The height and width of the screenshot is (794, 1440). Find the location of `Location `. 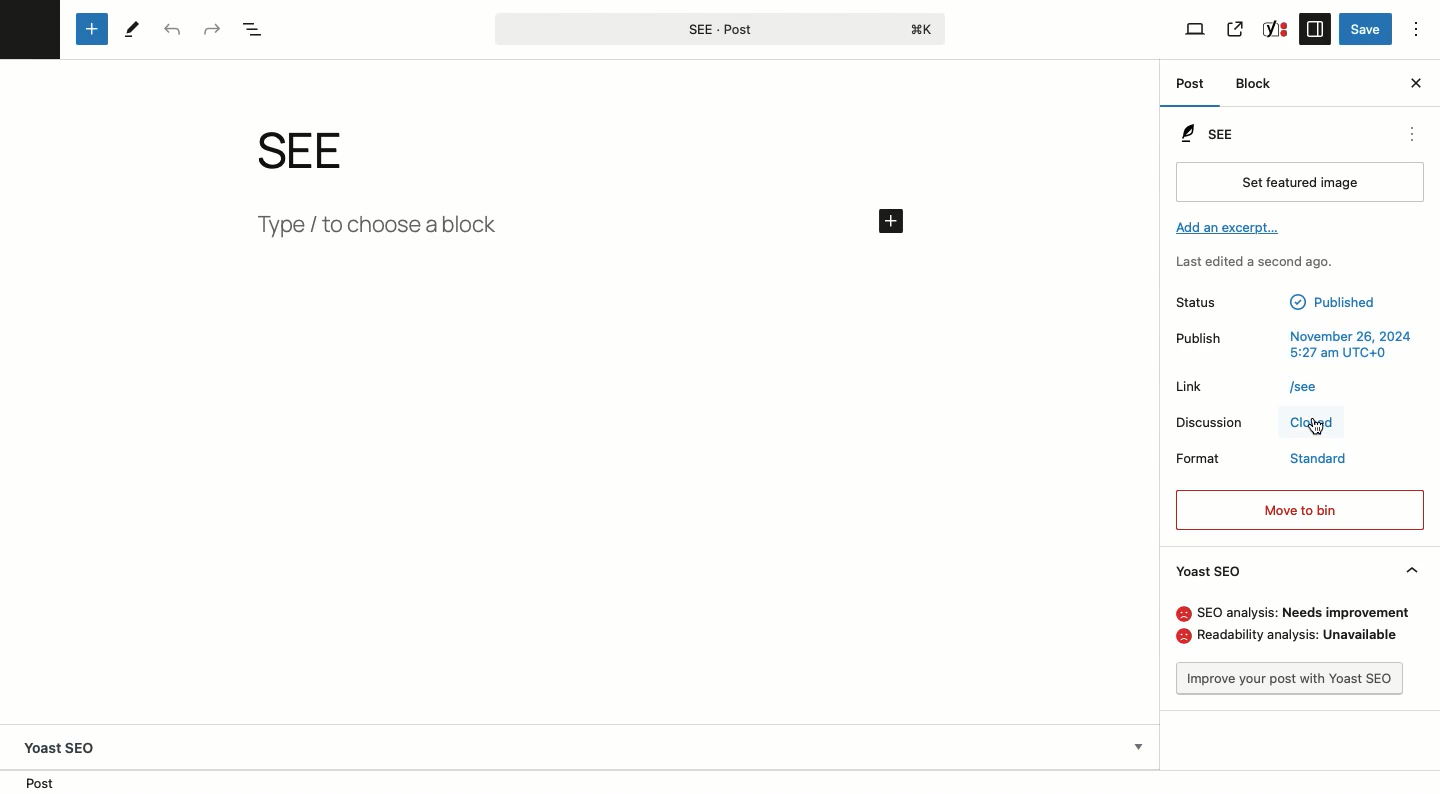

Location  is located at coordinates (43, 782).